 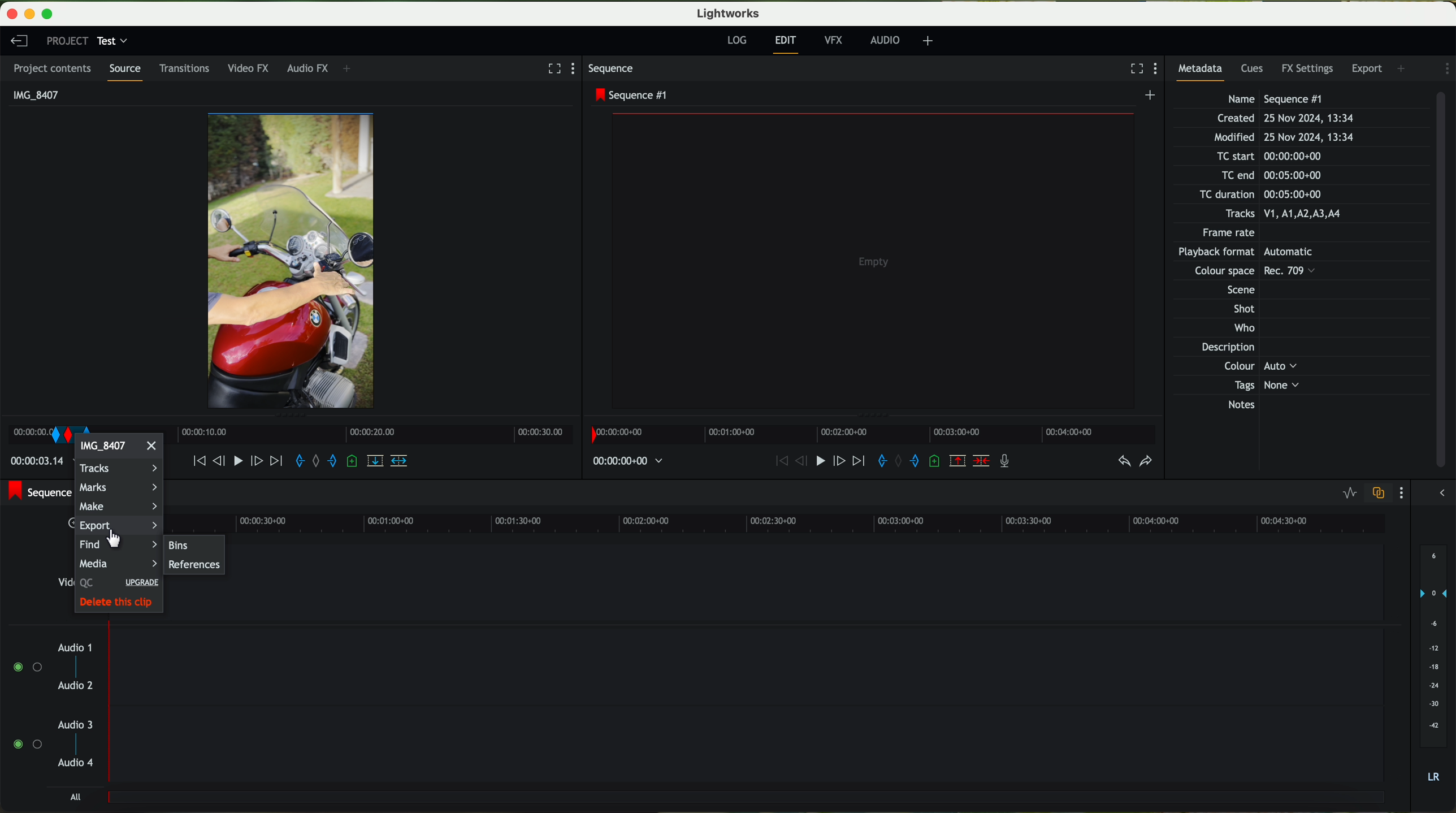 What do you see at coordinates (1242, 329) in the screenshot?
I see `Who` at bounding box center [1242, 329].